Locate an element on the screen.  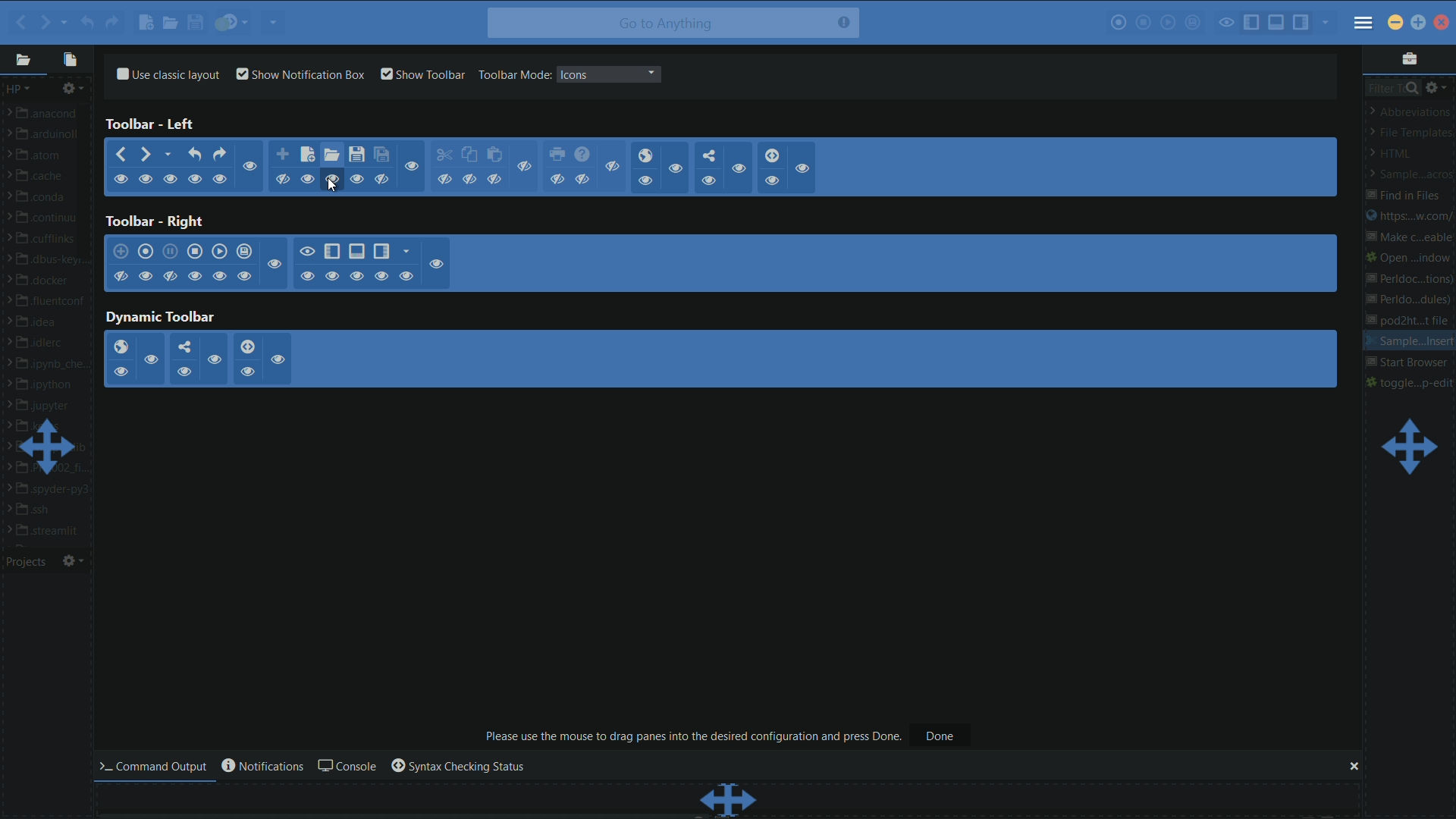
show/hide is located at coordinates (383, 179).